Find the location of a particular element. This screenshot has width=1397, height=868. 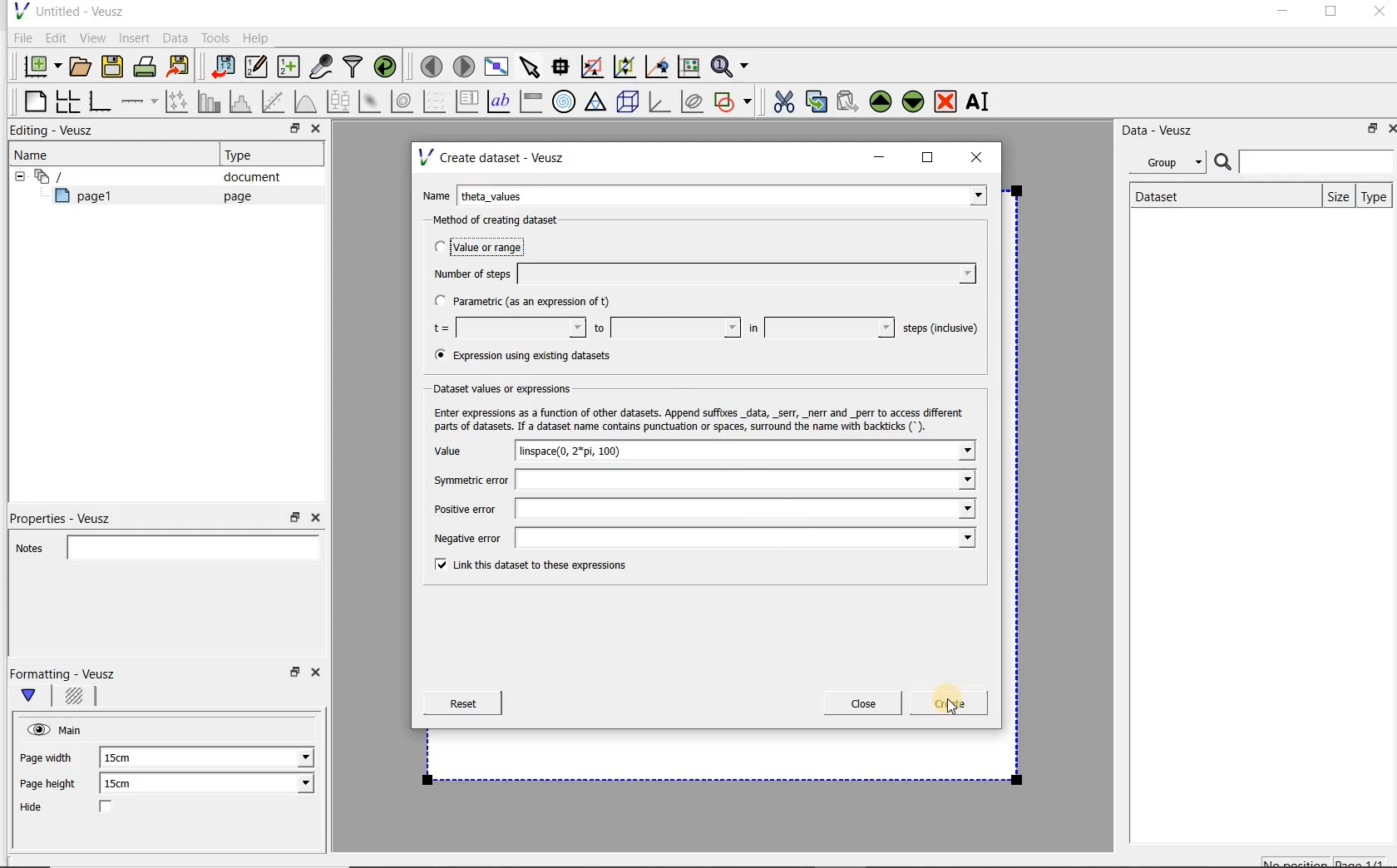

restore down is located at coordinates (295, 518).